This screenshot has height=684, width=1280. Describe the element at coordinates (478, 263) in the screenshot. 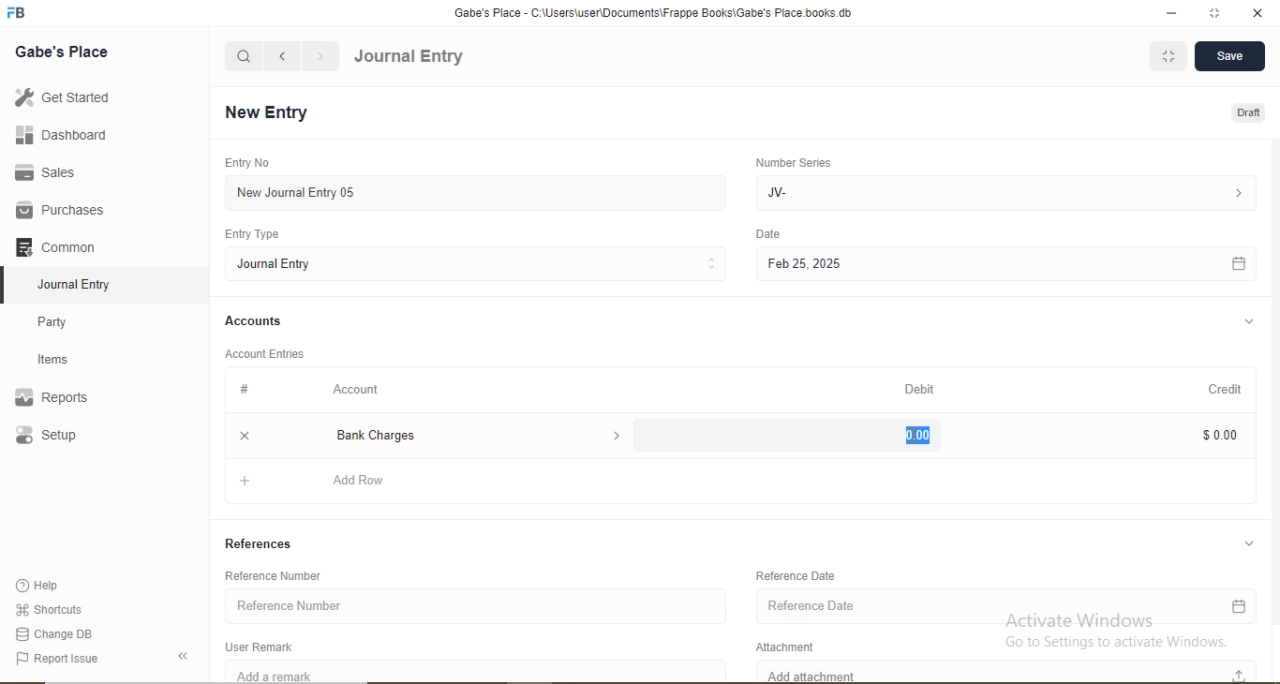

I see `Journal Entry` at that location.